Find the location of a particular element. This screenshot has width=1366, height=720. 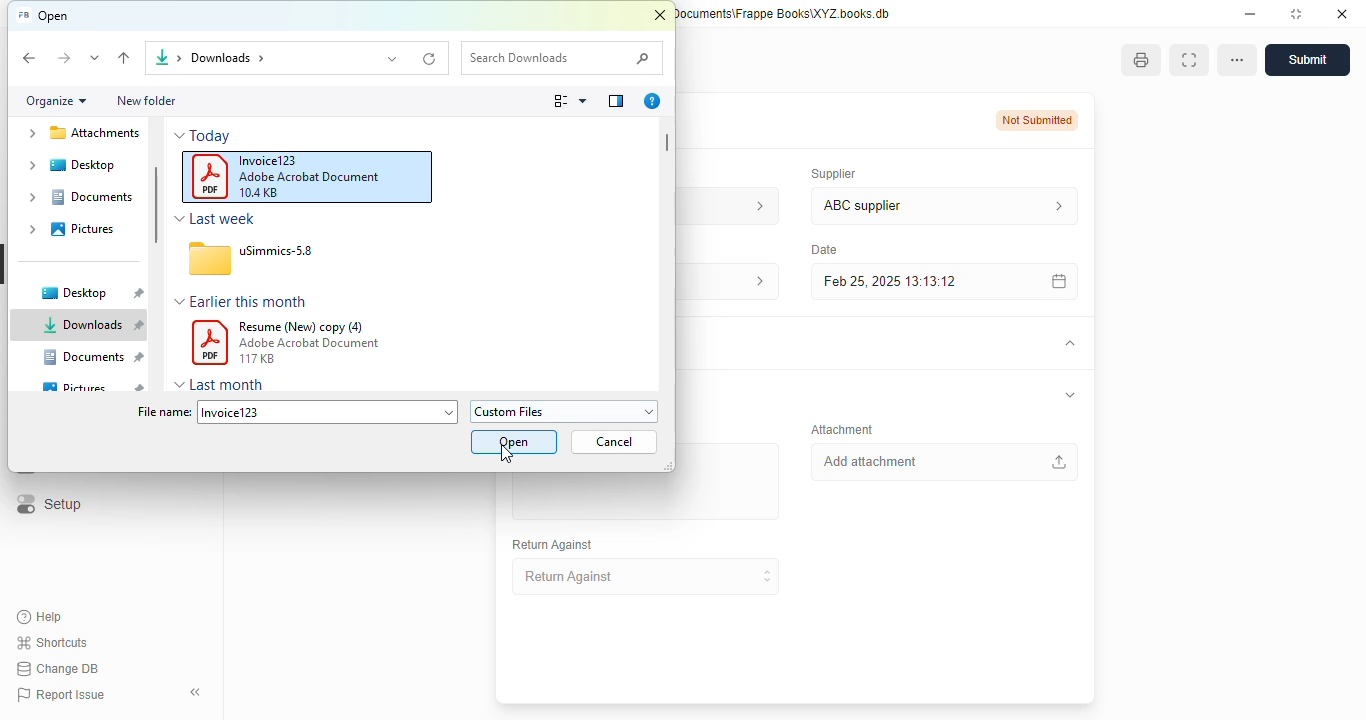

PDF logo is located at coordinates (210, 176).